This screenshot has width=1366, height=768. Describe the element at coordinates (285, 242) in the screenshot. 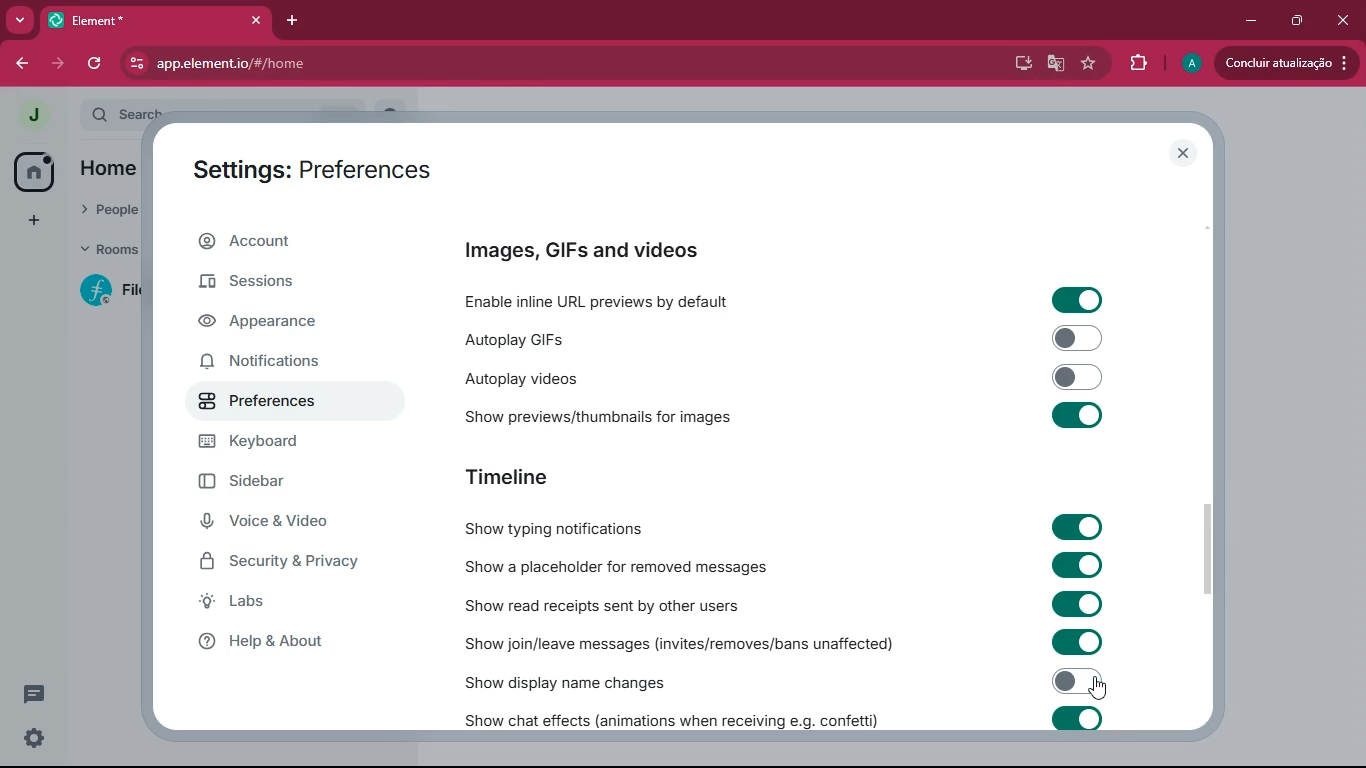

I see `account` at that location.